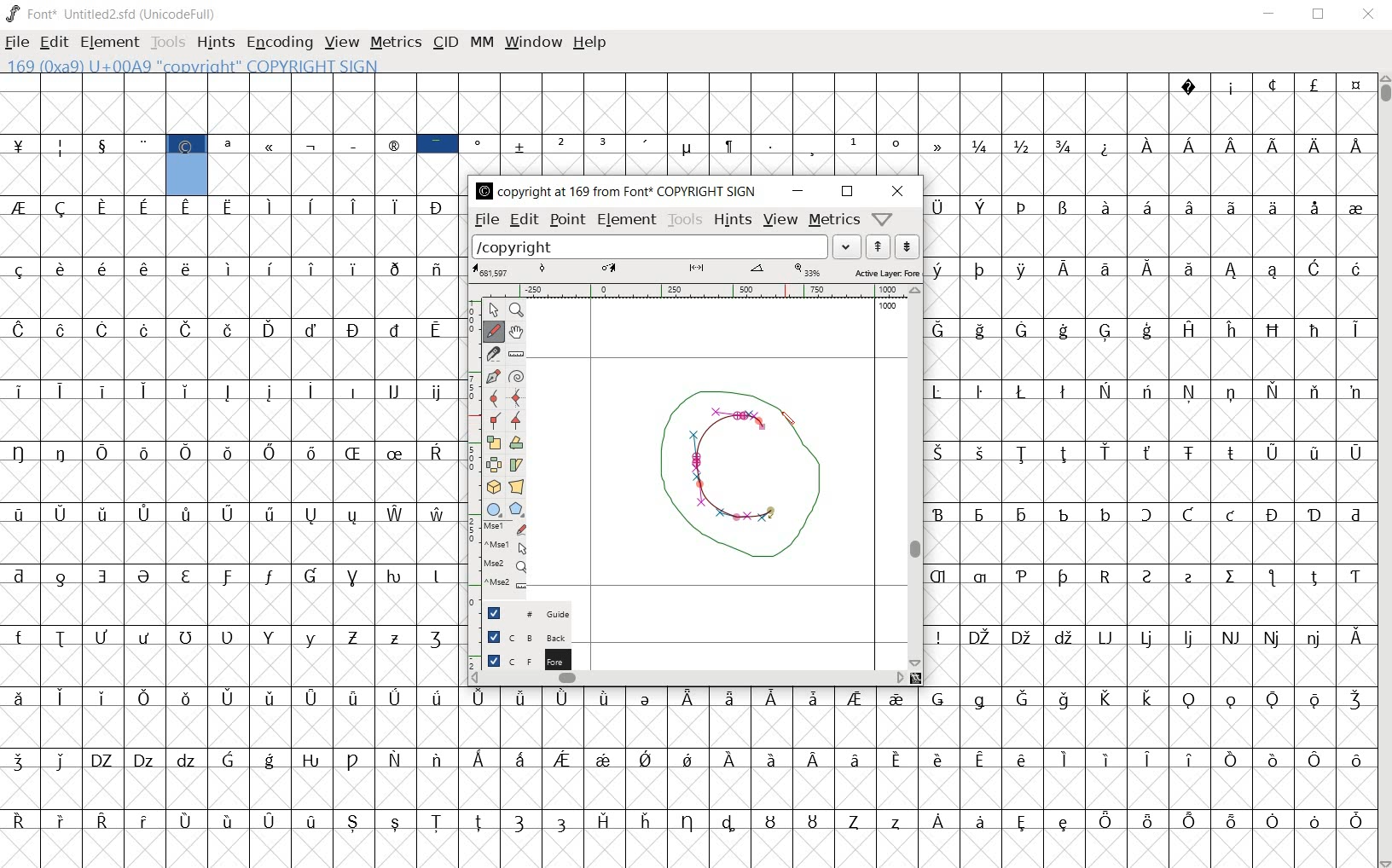  What do you see at coordinates (480, 40) in the screenshot?
I see `mm` at bounding box center [480, 40].